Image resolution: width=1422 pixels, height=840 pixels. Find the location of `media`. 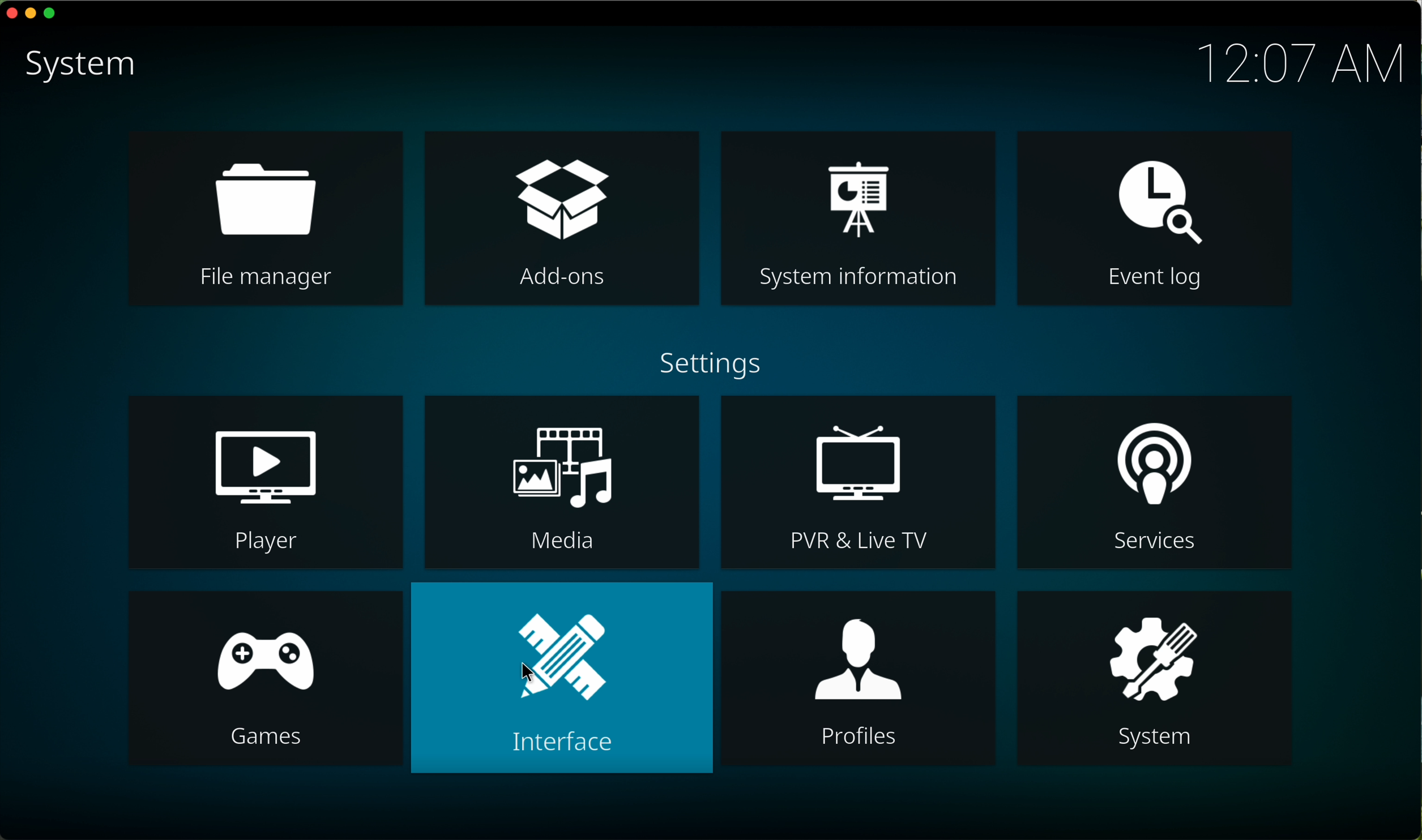

media is located at coordinates (562, 482).